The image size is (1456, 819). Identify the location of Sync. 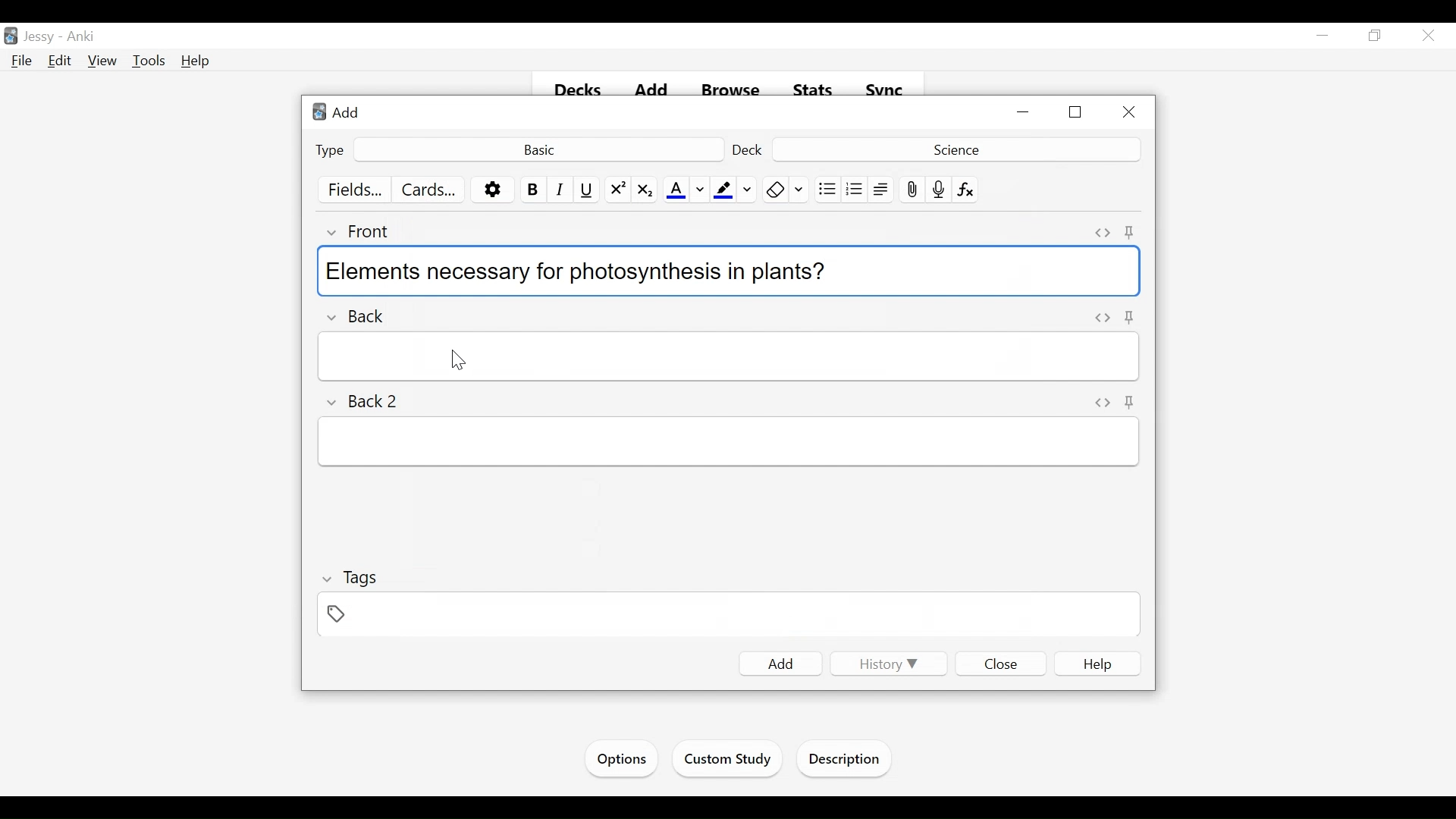
(885, 90).